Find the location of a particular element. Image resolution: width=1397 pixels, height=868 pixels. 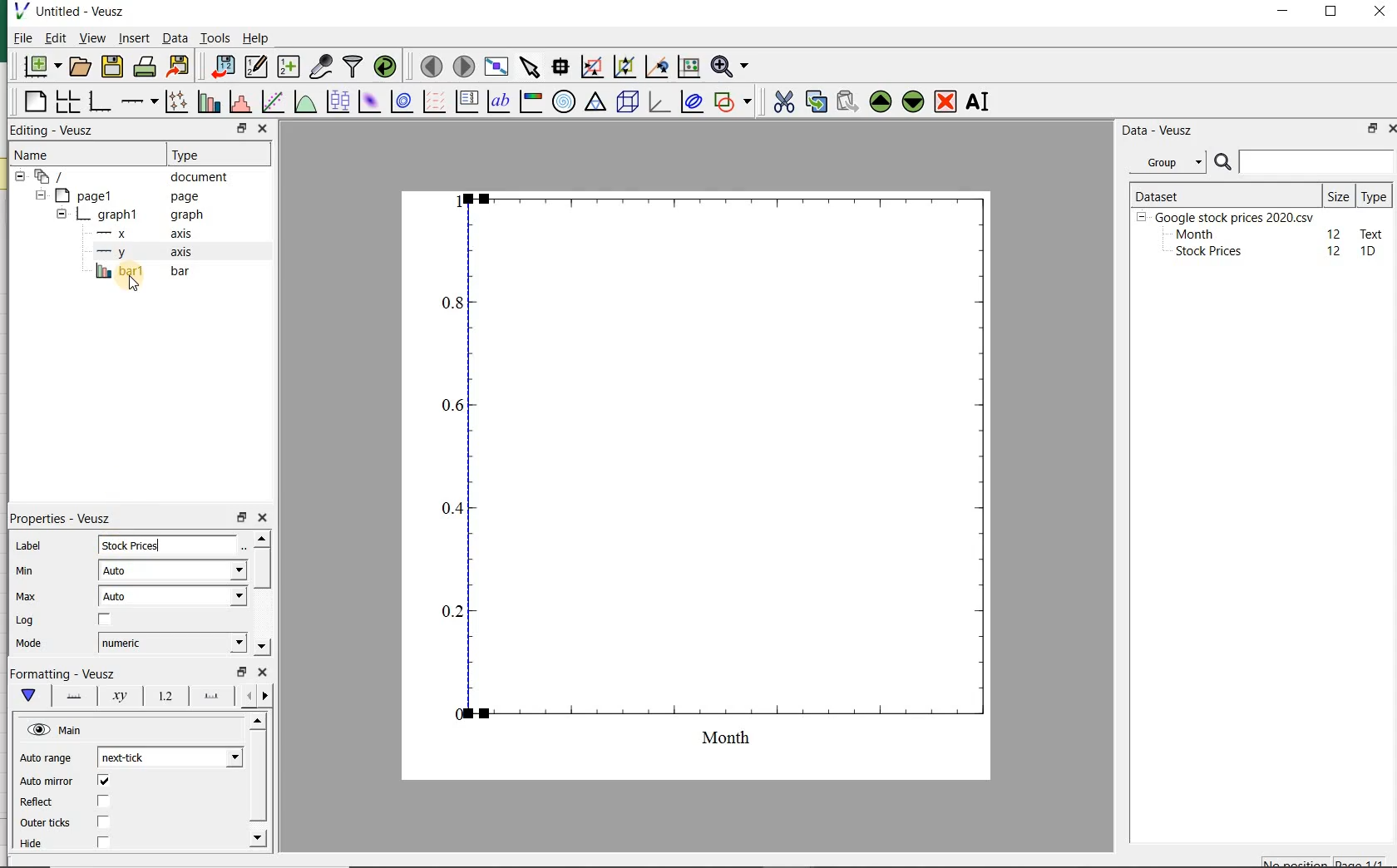

Data - Veusz is located at coordinates (1158, 130).